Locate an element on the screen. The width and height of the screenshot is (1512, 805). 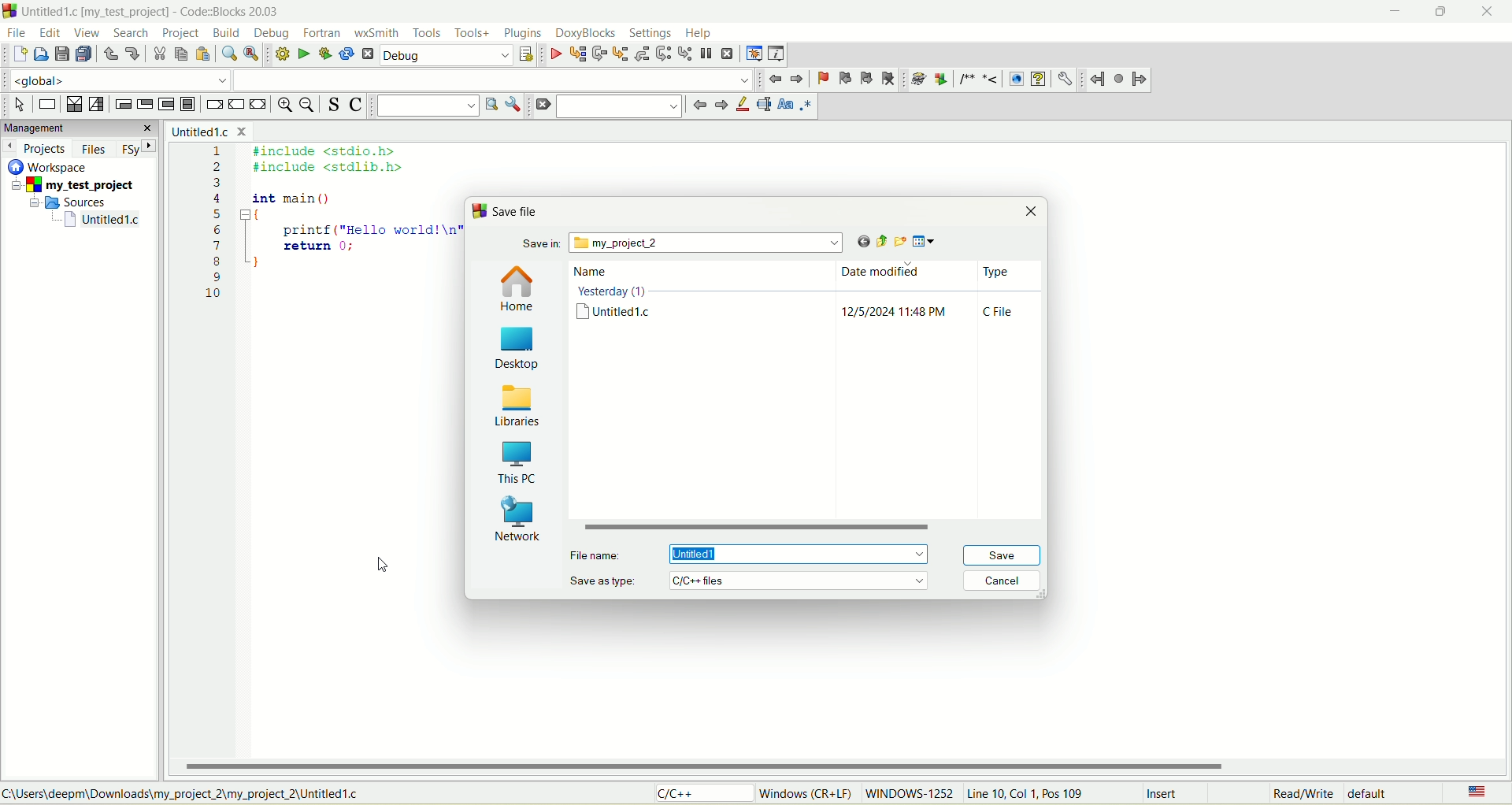
save in is located at coordinates (685, 243).